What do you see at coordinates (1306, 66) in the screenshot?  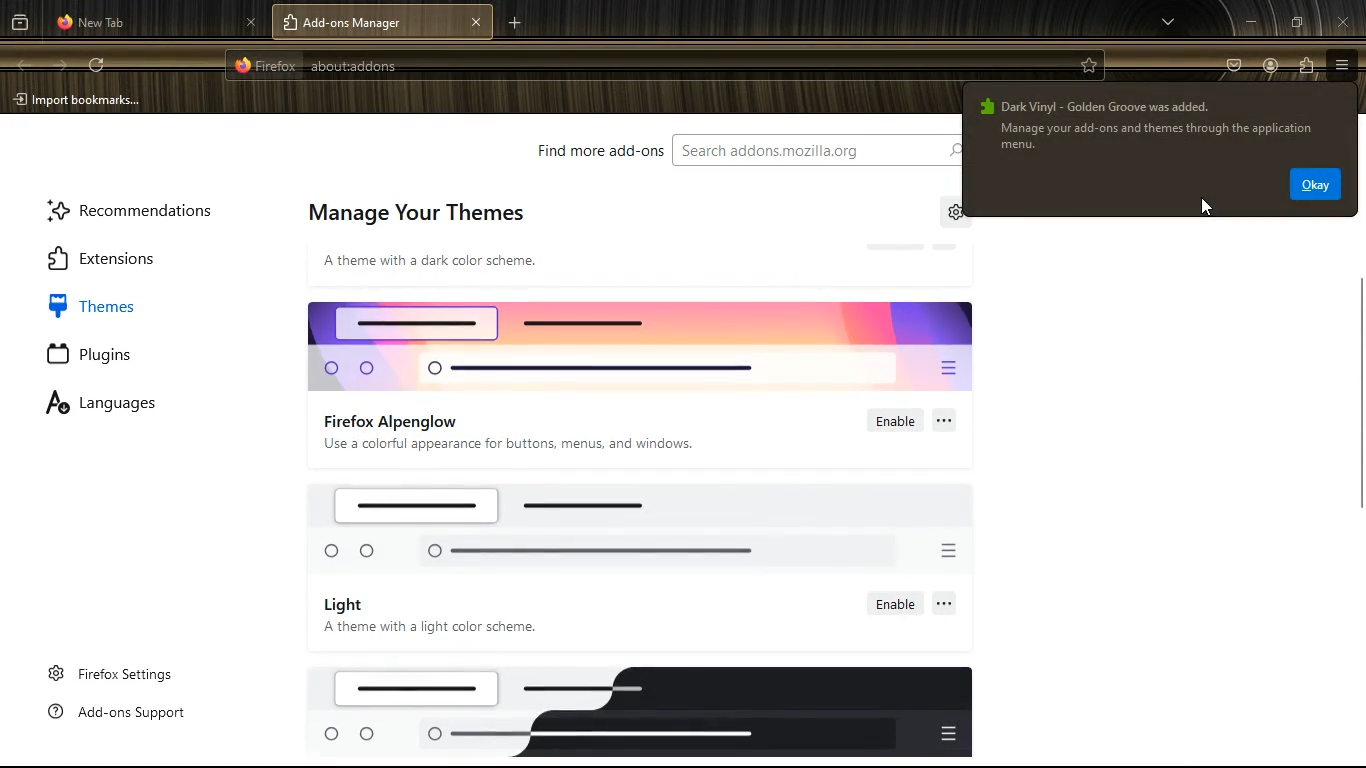 I see `instalations` at bounding box center [1306, 66].